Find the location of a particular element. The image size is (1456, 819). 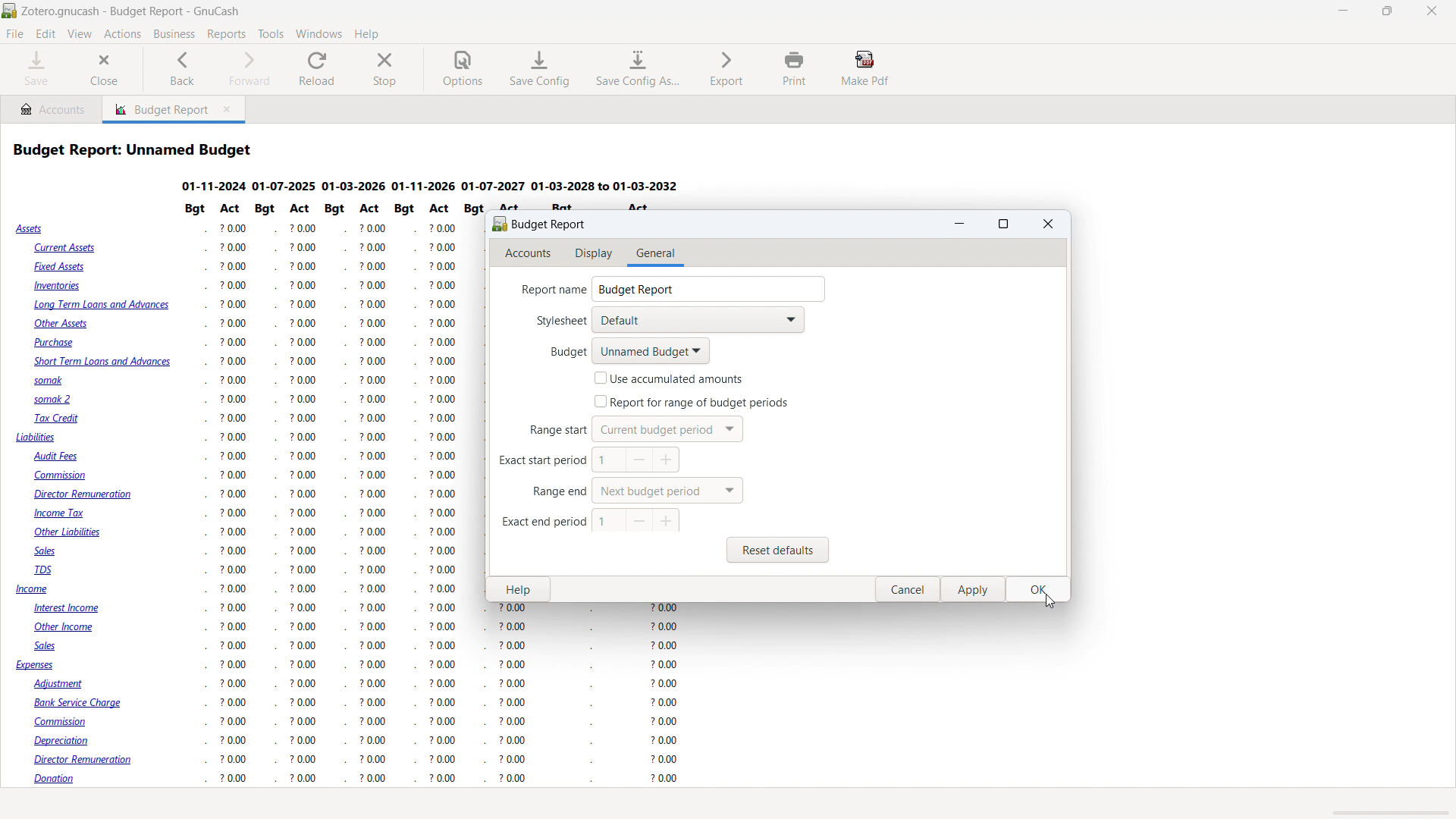

Report name is located at coordinates (545, 290).